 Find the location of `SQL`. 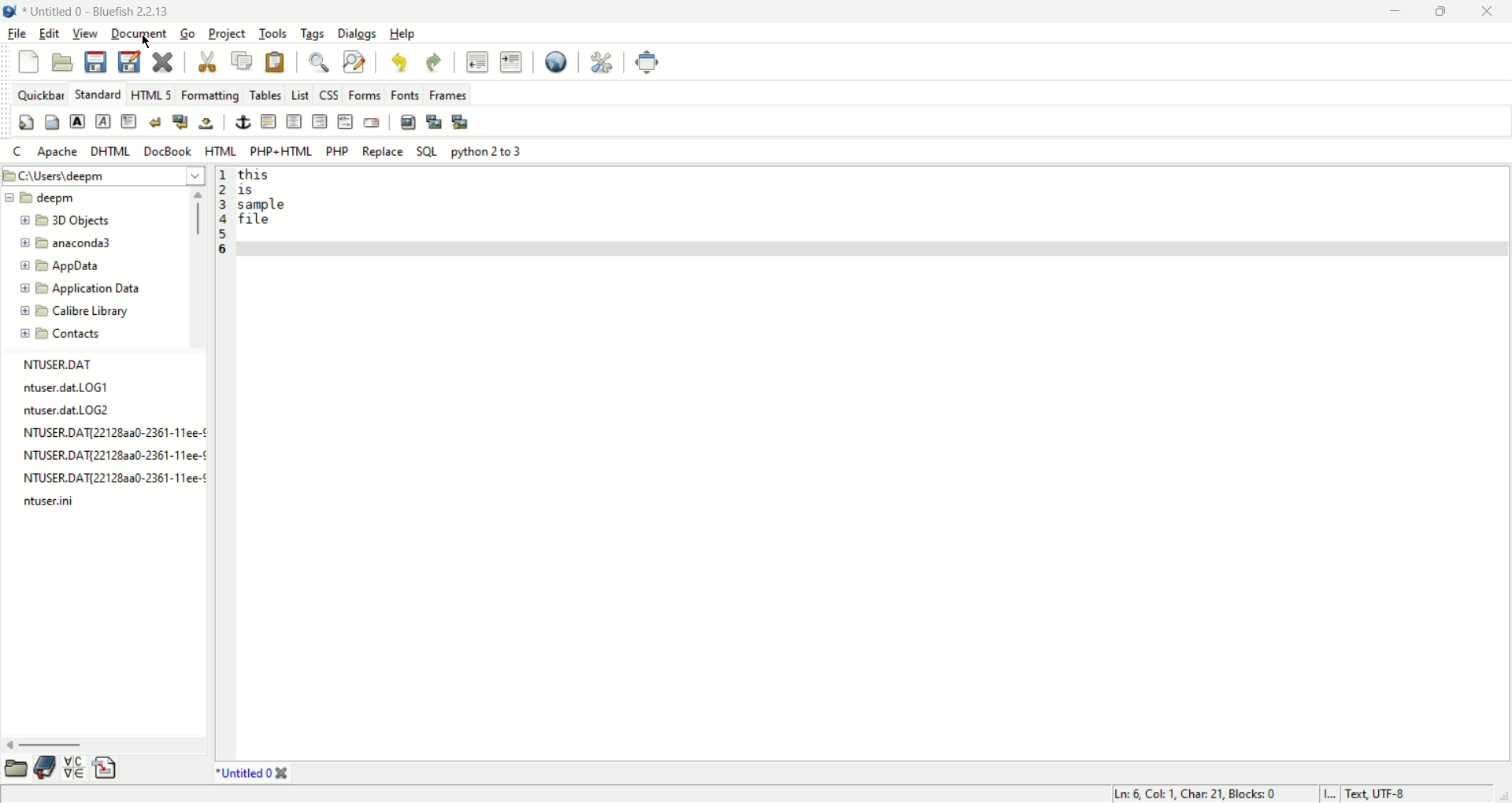

SQL is located at coordinates (427, 151).